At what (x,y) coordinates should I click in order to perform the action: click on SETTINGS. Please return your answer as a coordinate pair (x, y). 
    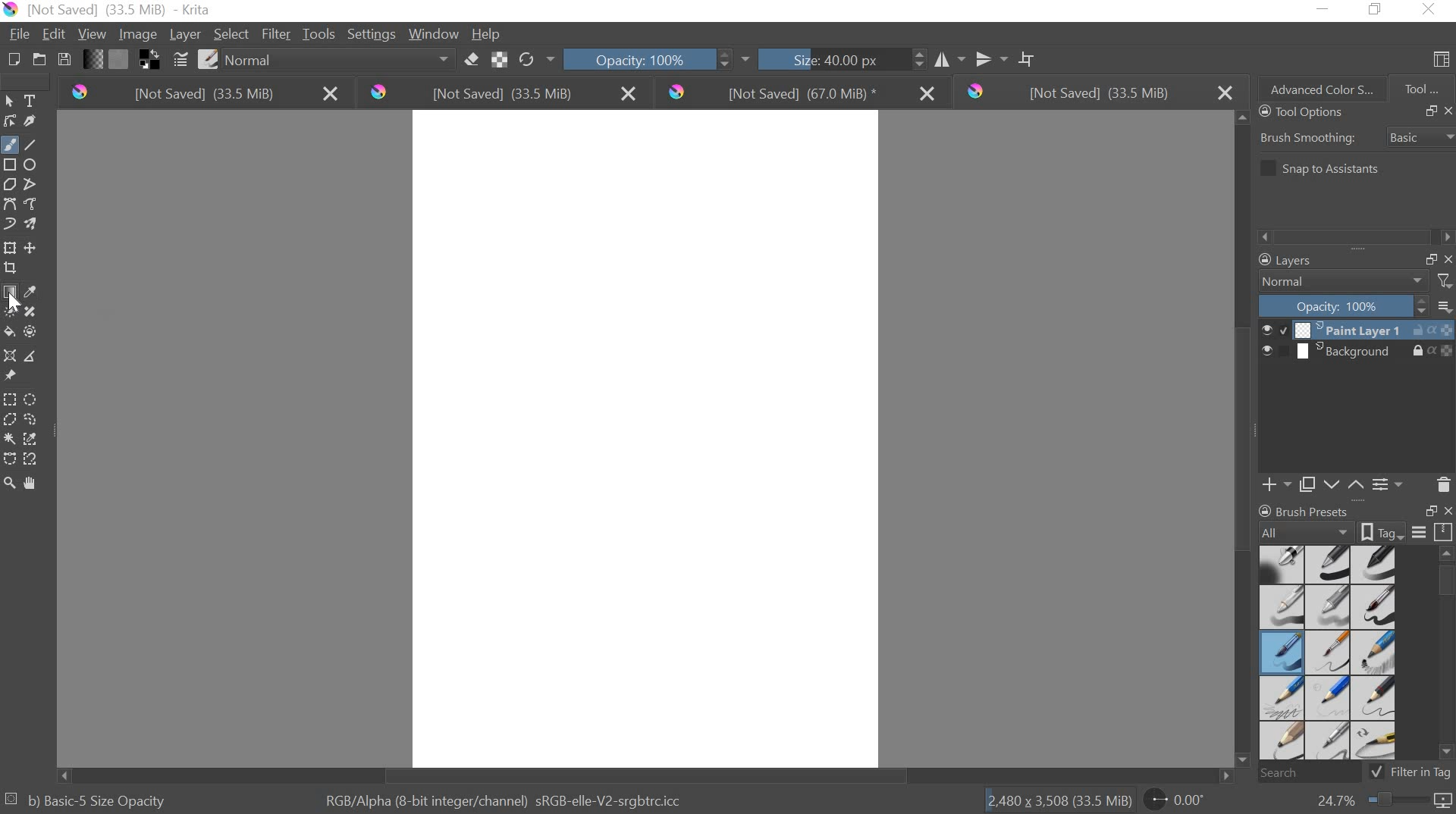
    Looking at the image, I should click on (371, 33).